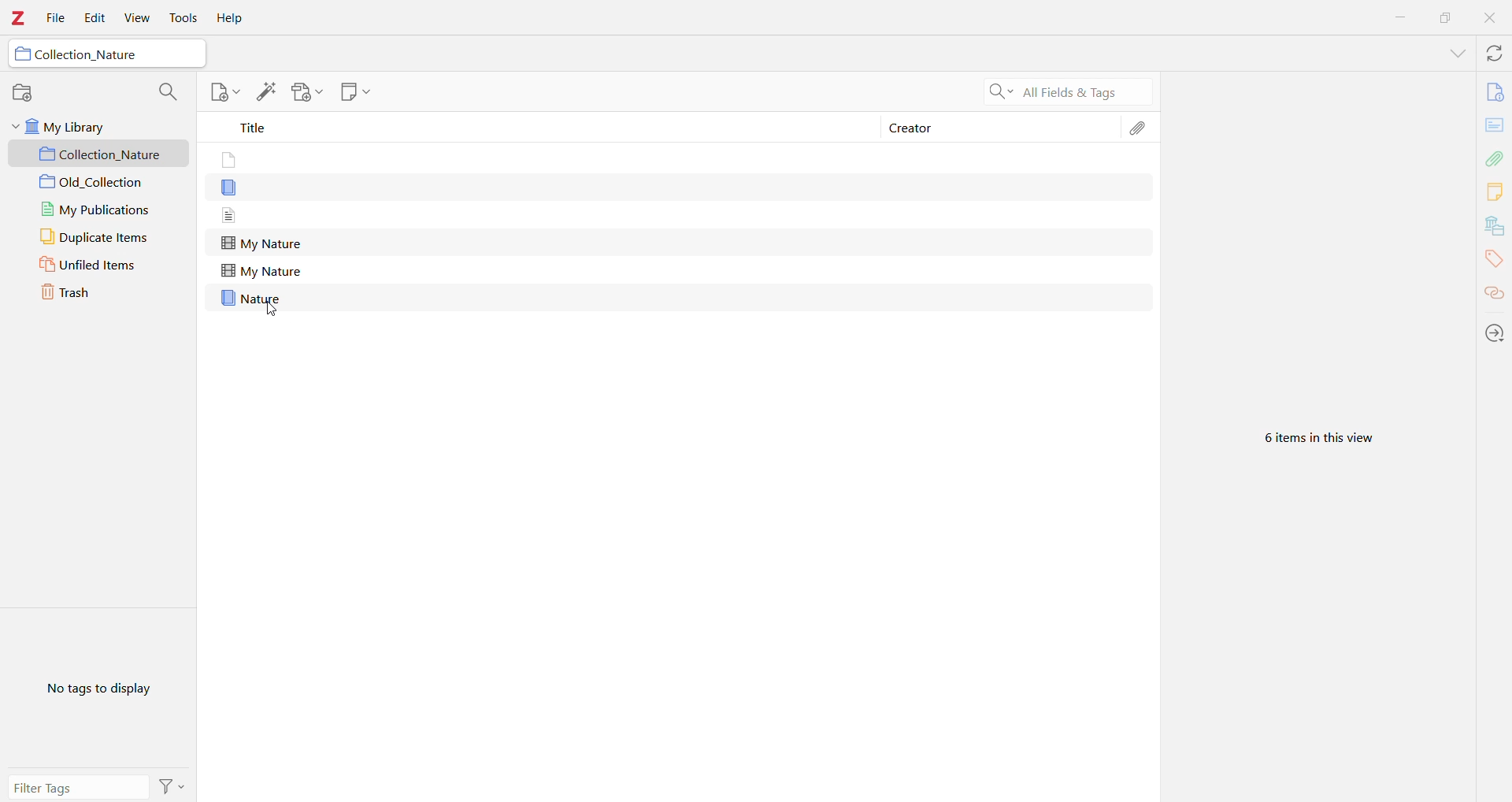  Describe the element at coordinates (261, 244) in the screenshot. I see `My Nature` at that location.